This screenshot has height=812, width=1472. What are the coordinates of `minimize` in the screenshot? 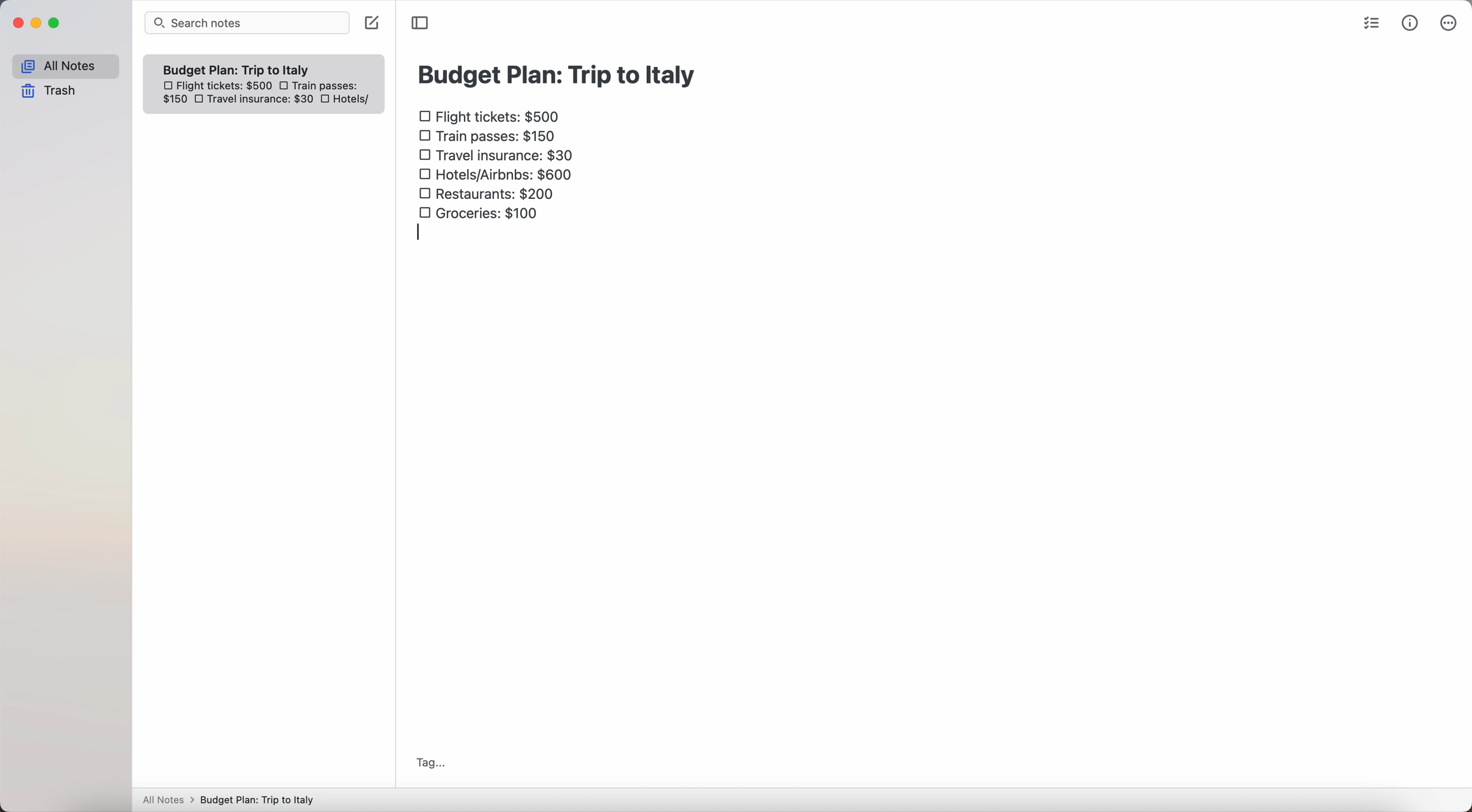 It's located at (39, 23).